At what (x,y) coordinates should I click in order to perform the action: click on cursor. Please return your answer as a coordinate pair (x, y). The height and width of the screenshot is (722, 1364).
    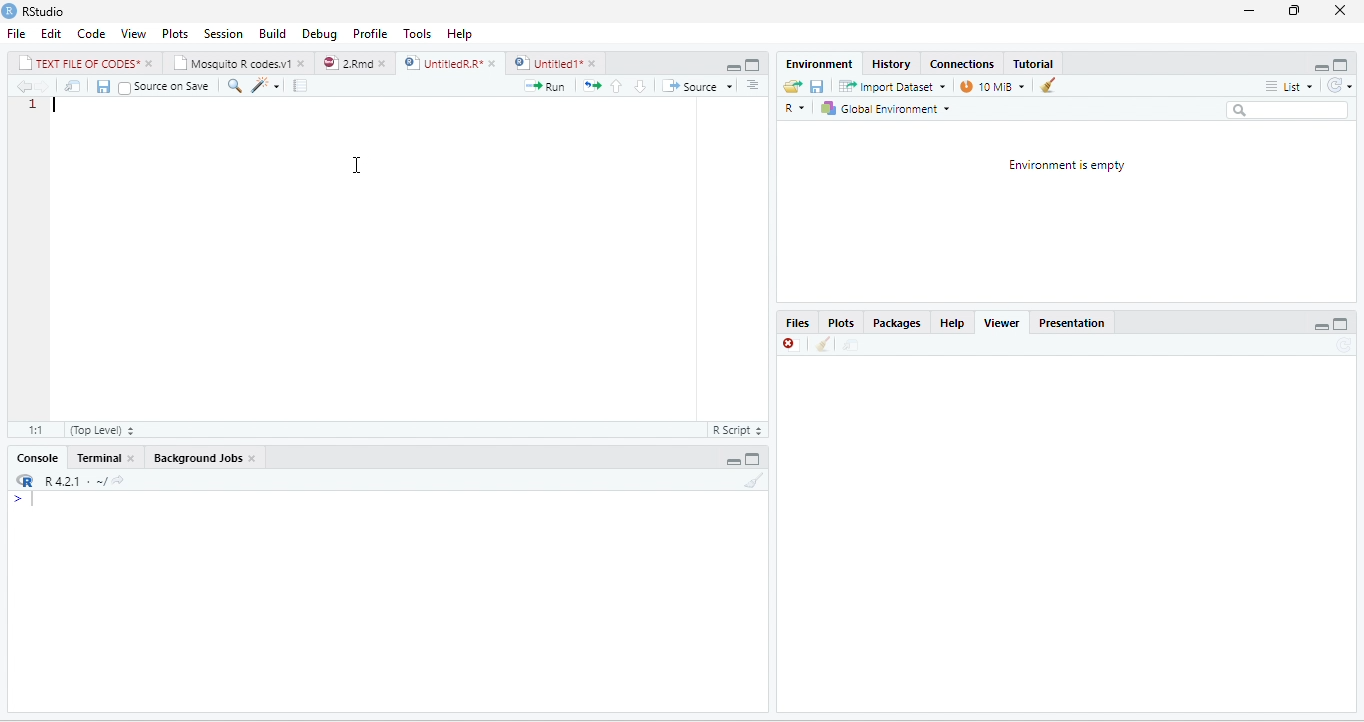
    Looking at the image, I should click on (356, 166).